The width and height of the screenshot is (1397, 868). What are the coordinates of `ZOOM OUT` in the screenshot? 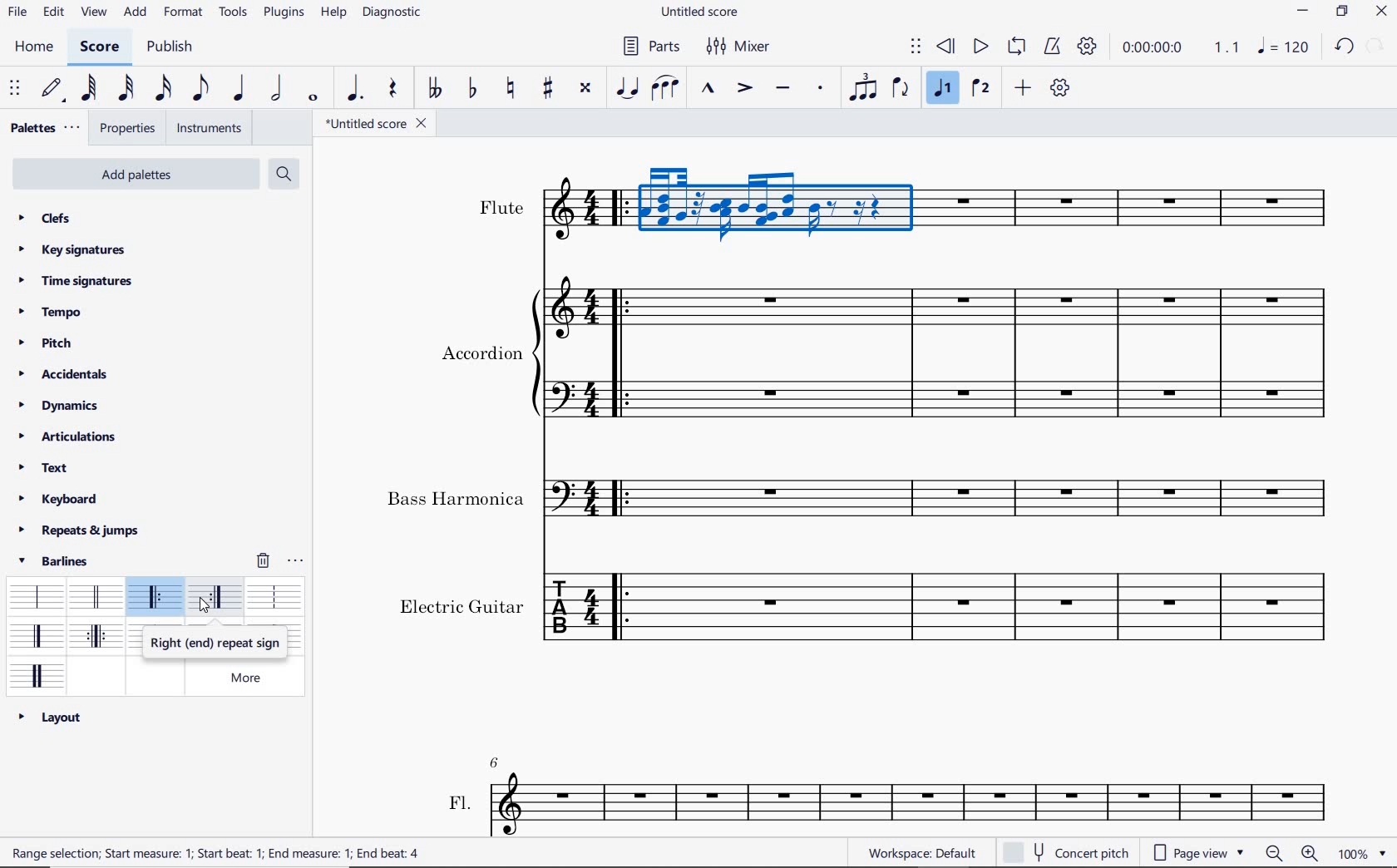 It's located at (1274, 854).